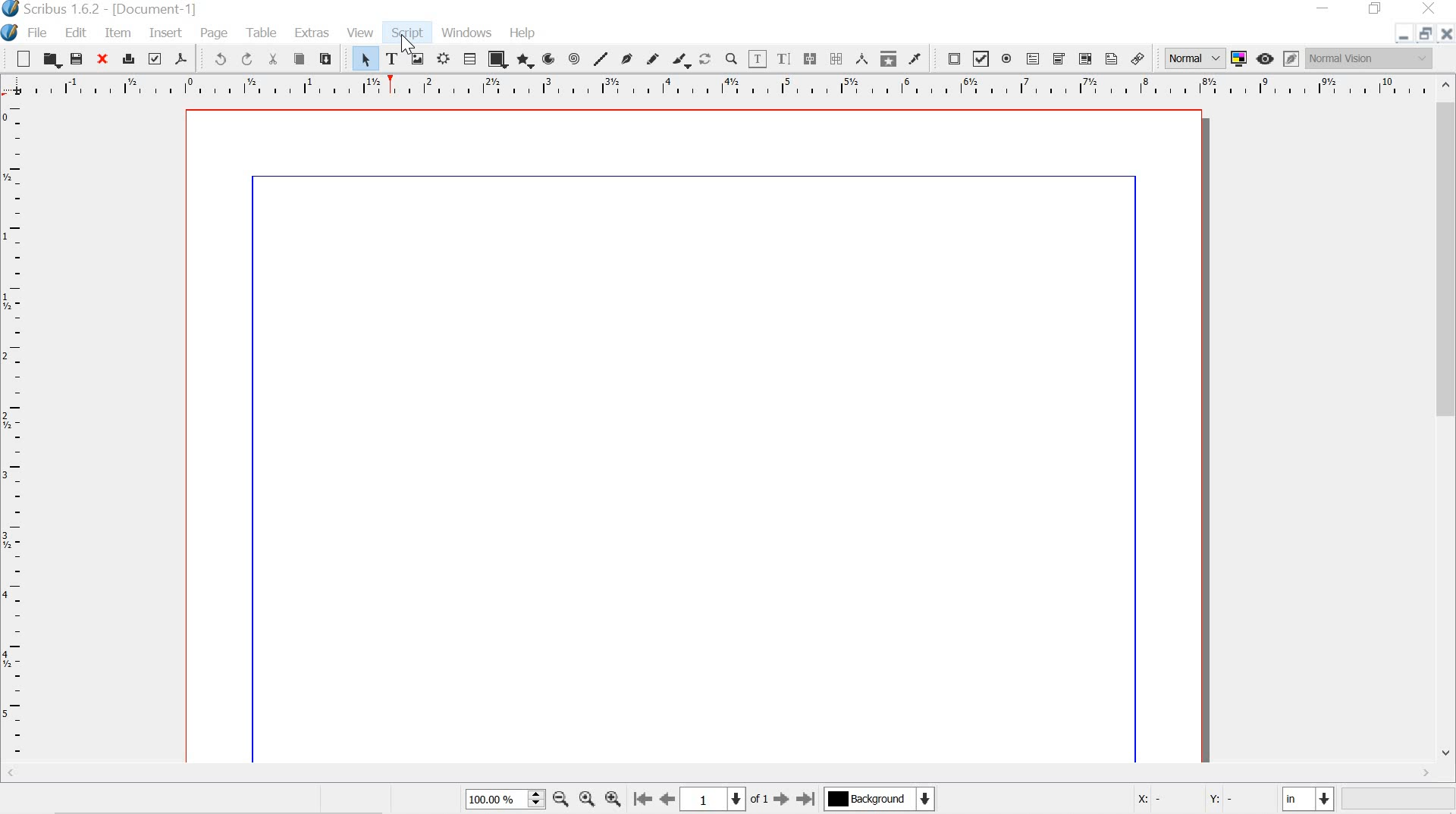 This screenshot has height=814, width=1456. I want to click on save as pdf, so click(183, 59).